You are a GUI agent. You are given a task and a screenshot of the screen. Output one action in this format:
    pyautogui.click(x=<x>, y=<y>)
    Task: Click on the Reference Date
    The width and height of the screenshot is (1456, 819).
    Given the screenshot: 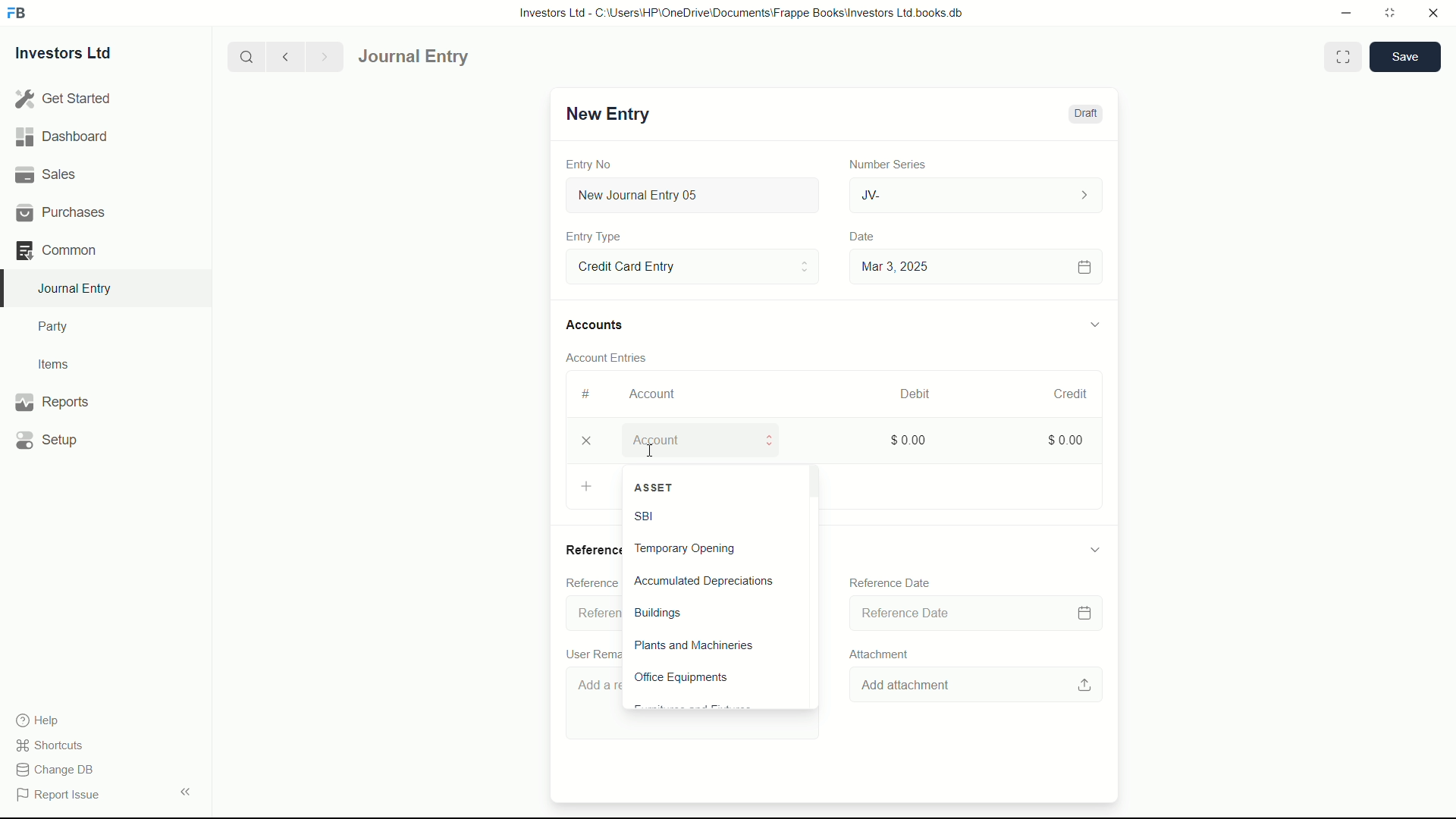 What is the action you would take?
    pyautogui.click(x=974, y=612)
    